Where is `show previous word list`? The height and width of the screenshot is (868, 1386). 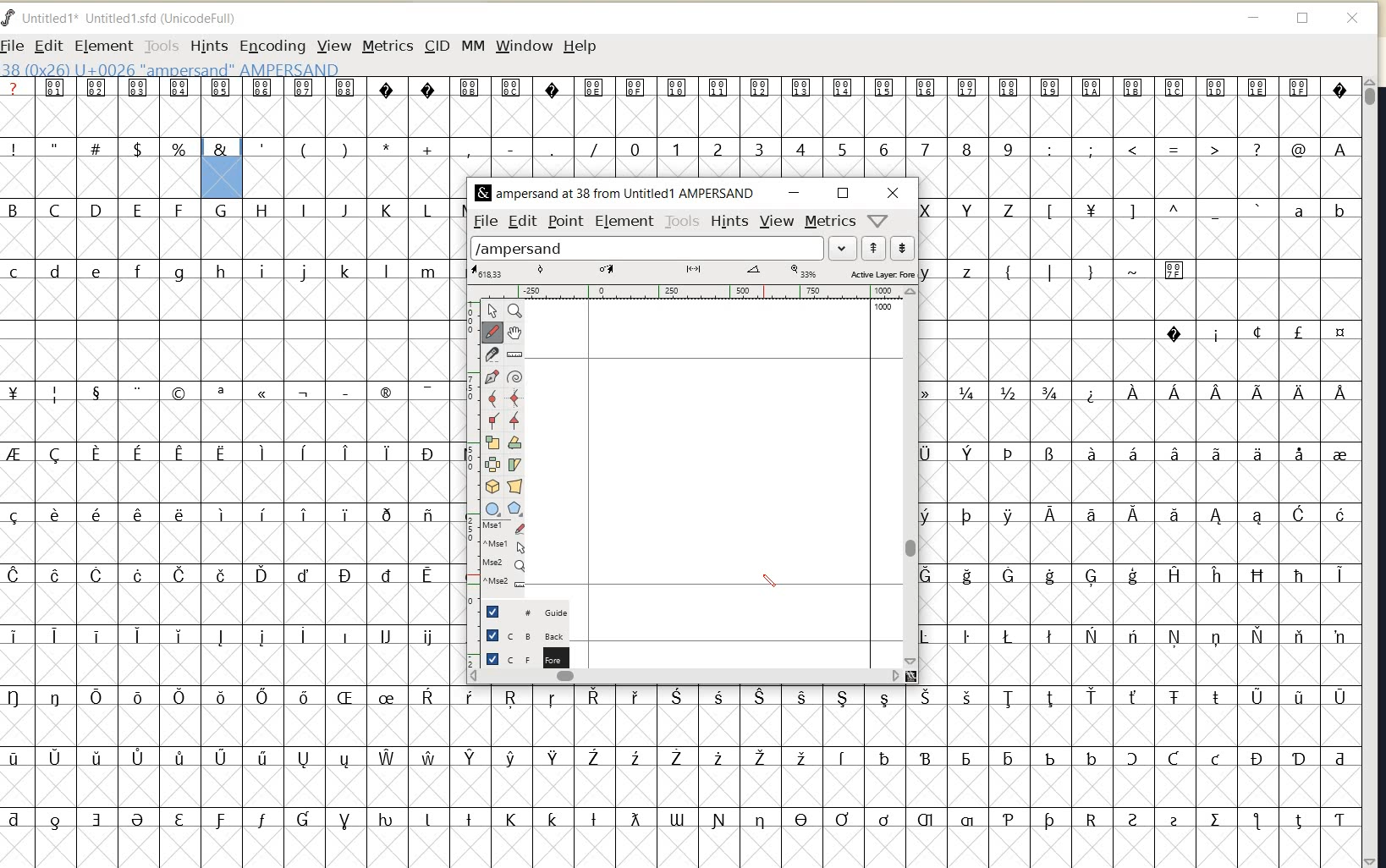 show previous word list is located at coordinates (875, 248).